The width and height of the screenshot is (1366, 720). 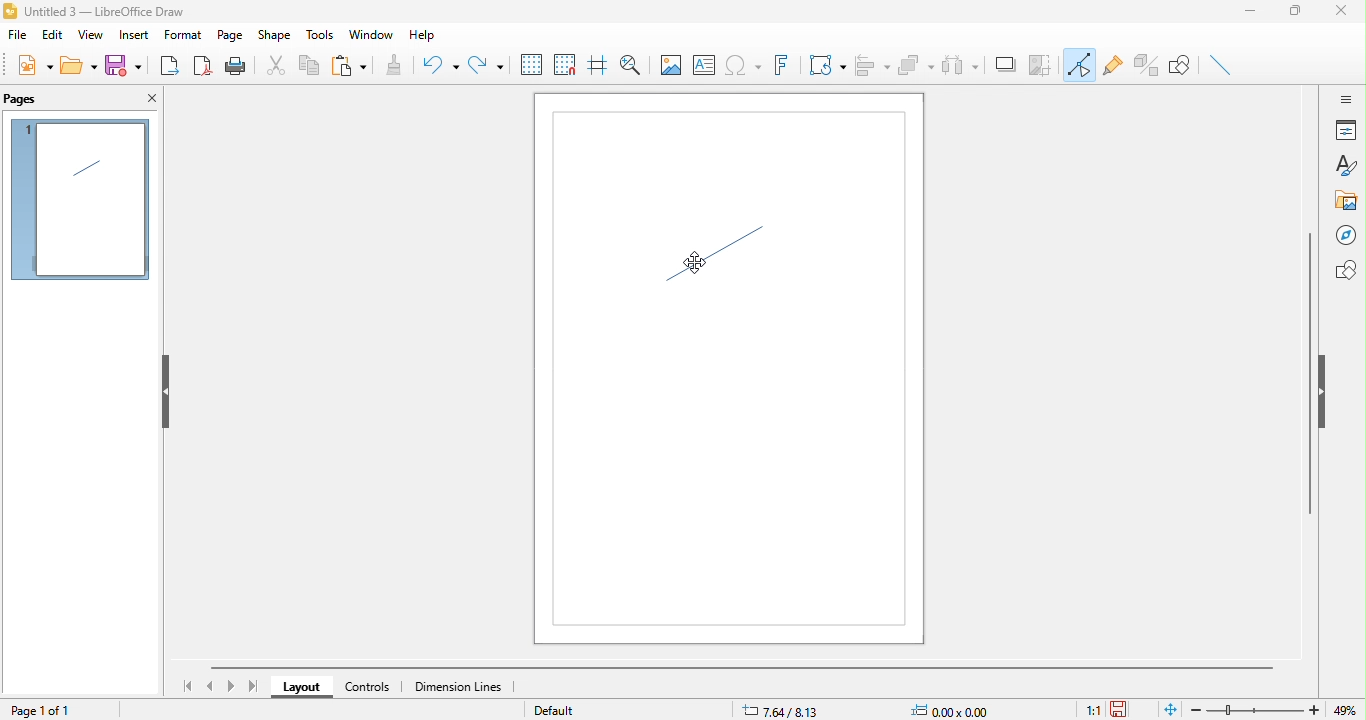 What do you see at coordinates (1309, 372) in the screenshot?
I see `vertical scroll bar` at bounding box center [1309, 372].